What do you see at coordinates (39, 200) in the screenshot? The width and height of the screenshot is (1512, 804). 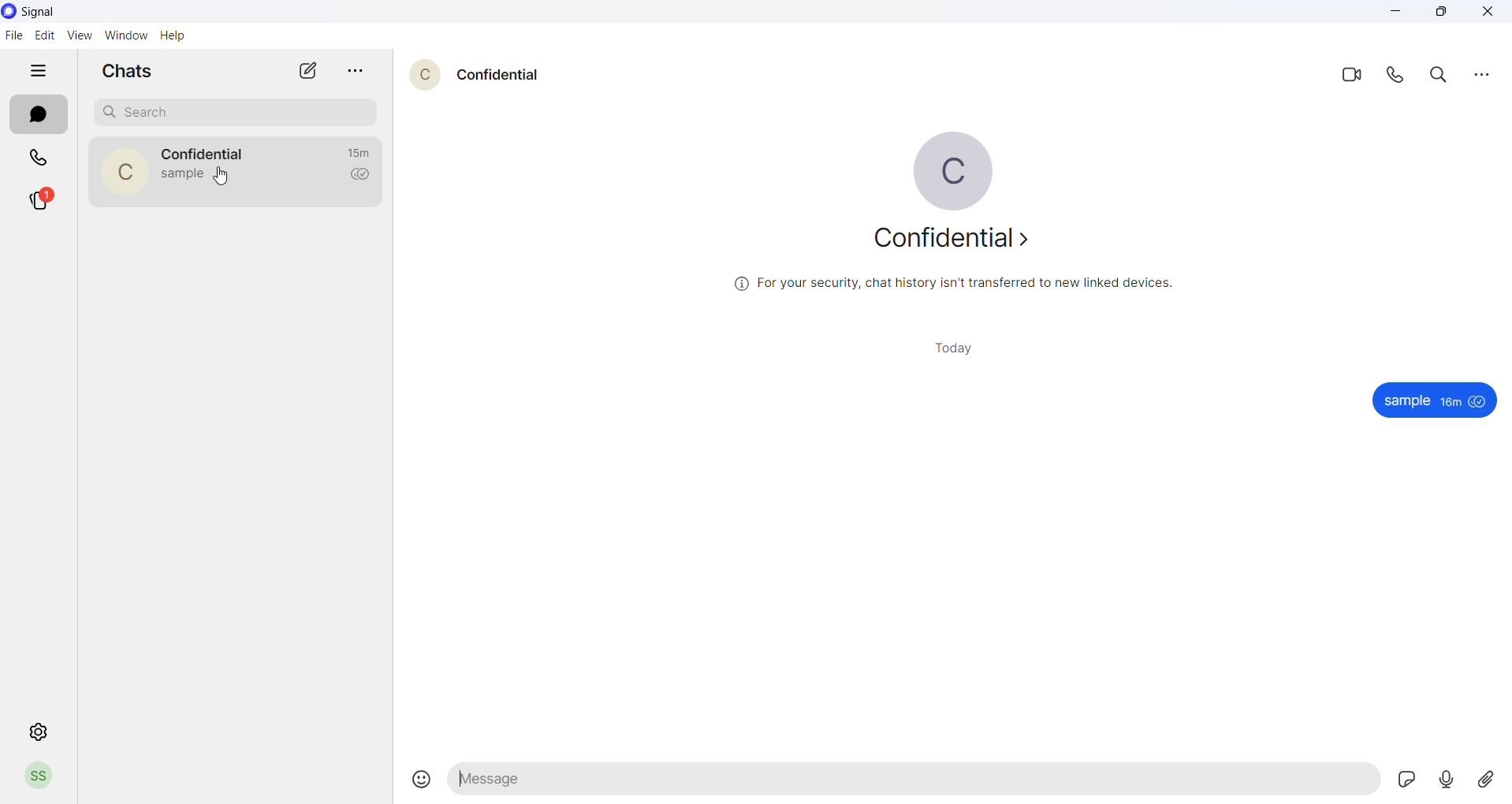 I see `stories` at bounding box center [39, 200].